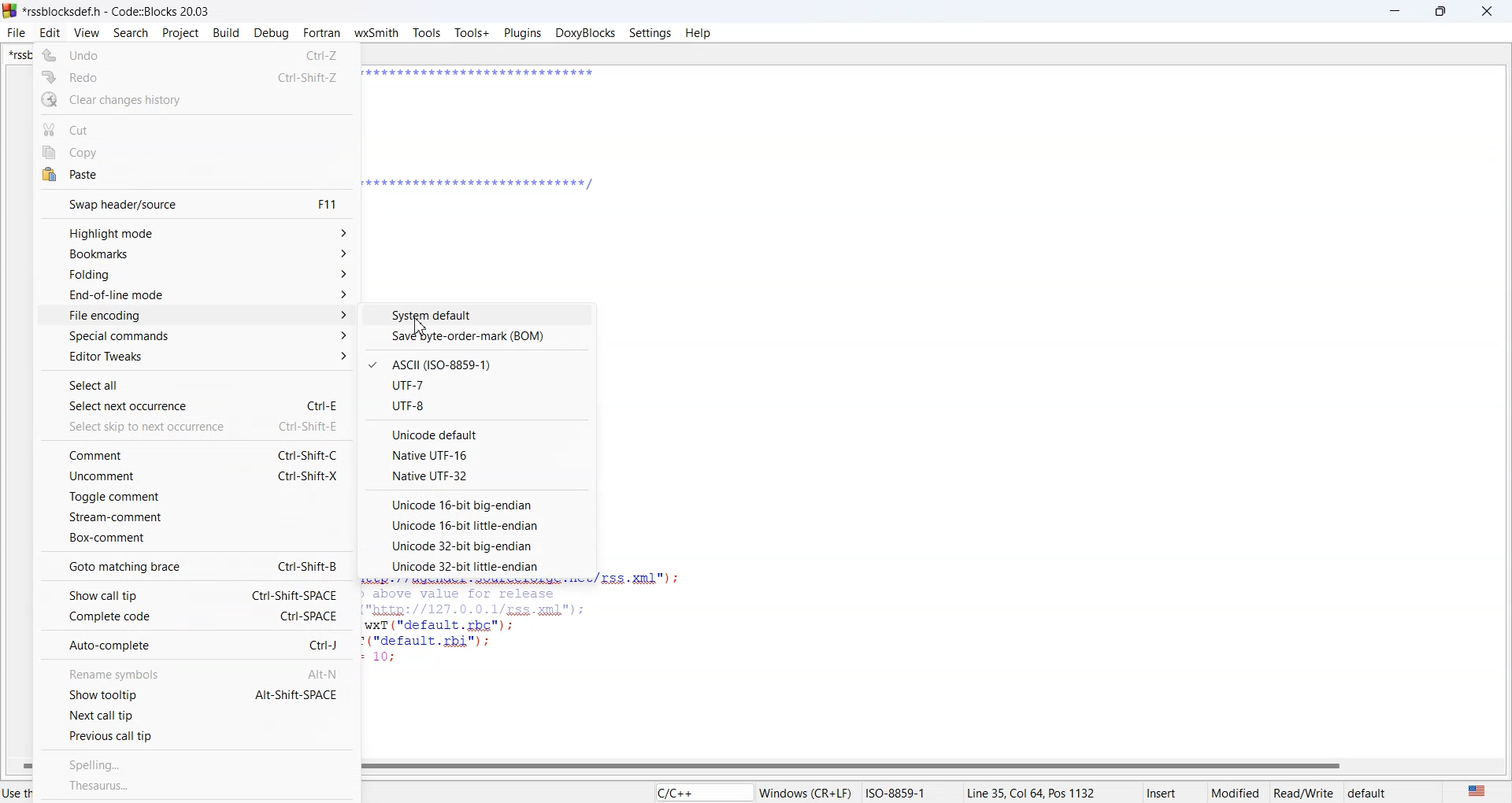 The width and height of the screenshot is (1512, 803). I want to click on File, so click(17, 32).